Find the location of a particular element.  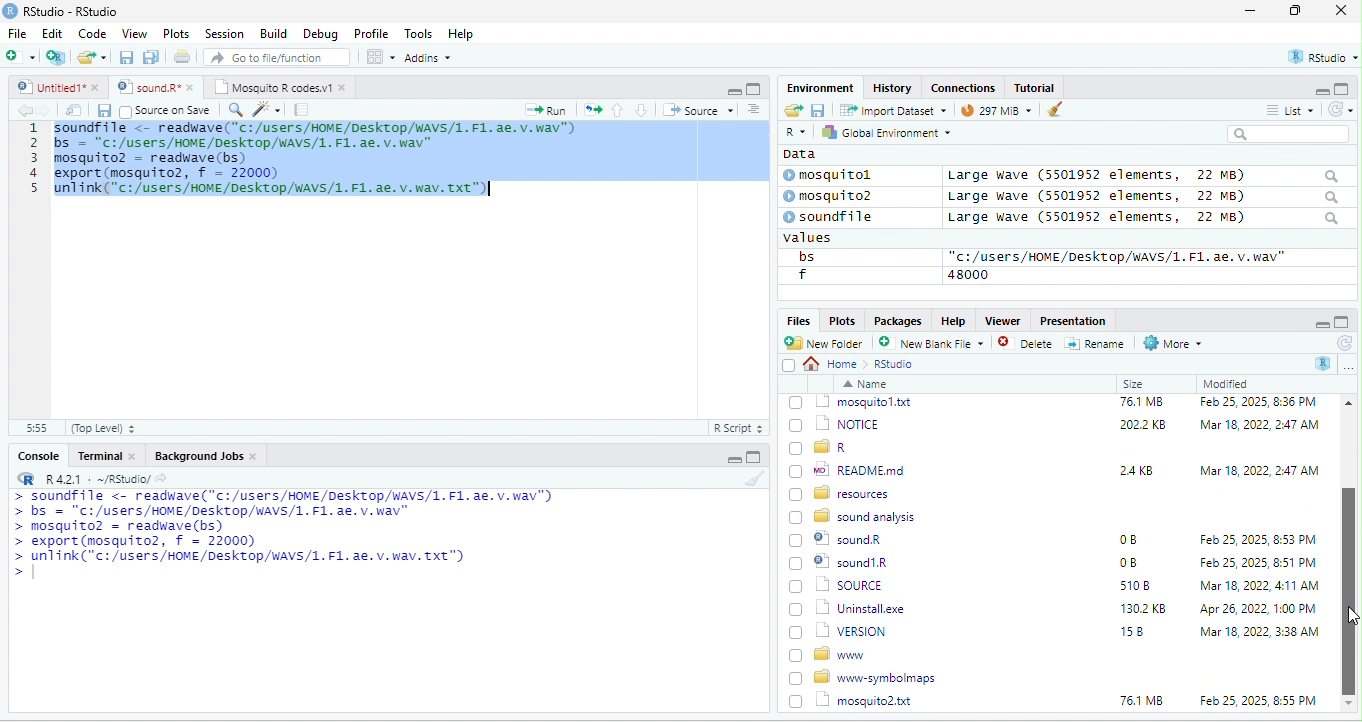

Help is located at coordinates (462, 35).